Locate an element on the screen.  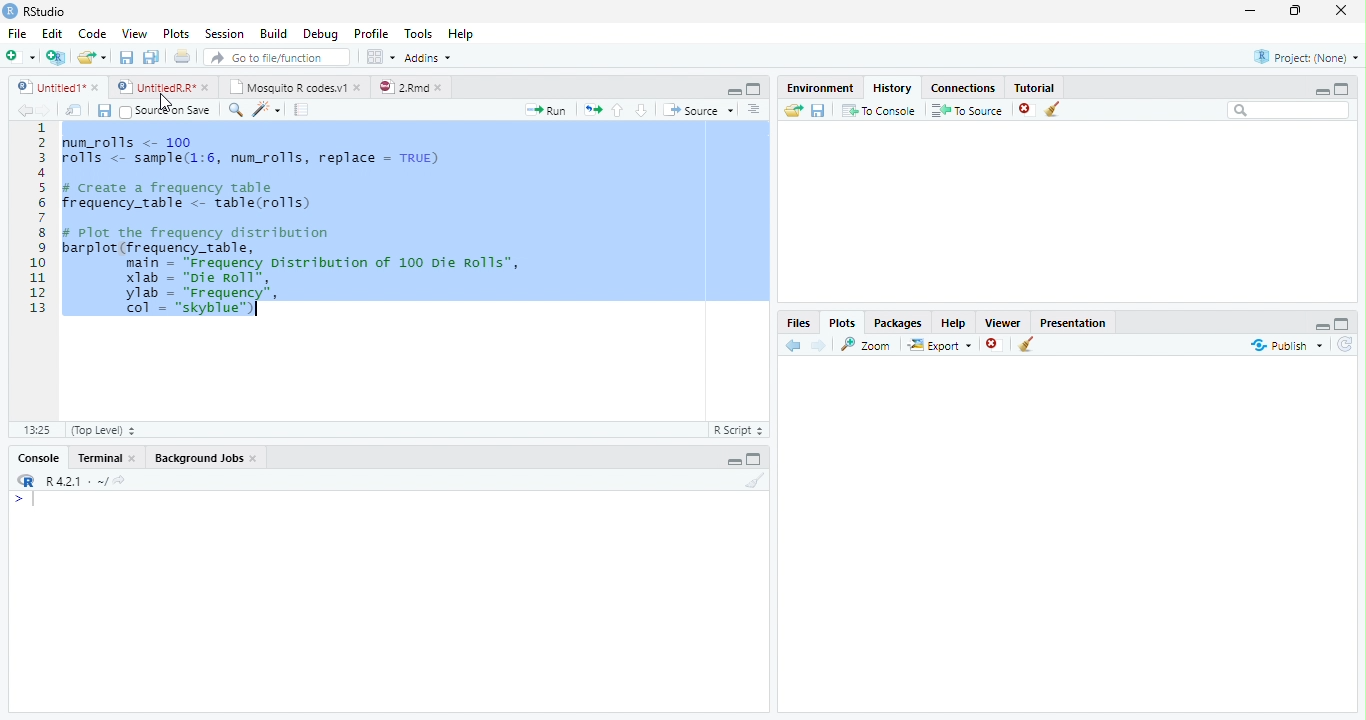
Re run previous code region is located at coordinates (591, 111).